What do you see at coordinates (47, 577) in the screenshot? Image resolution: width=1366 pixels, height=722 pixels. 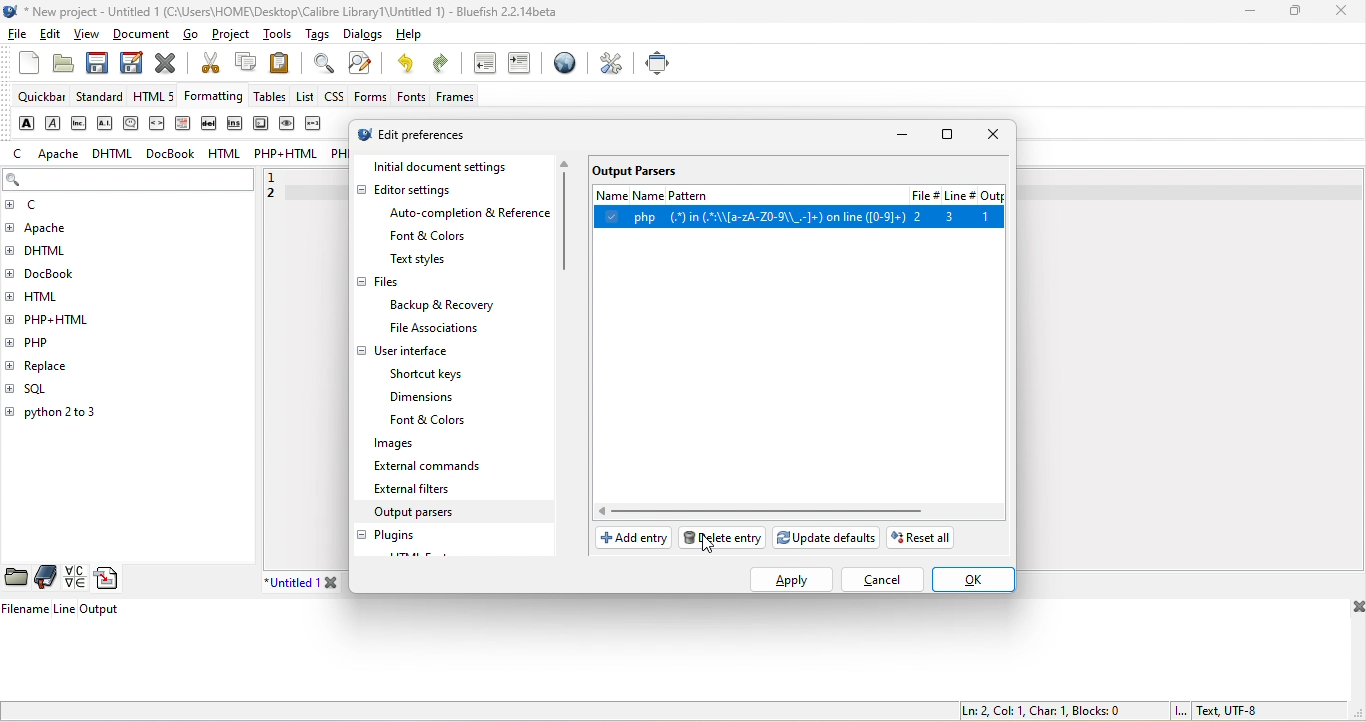 I see `bookmarks` at bounding box center [47, 577].